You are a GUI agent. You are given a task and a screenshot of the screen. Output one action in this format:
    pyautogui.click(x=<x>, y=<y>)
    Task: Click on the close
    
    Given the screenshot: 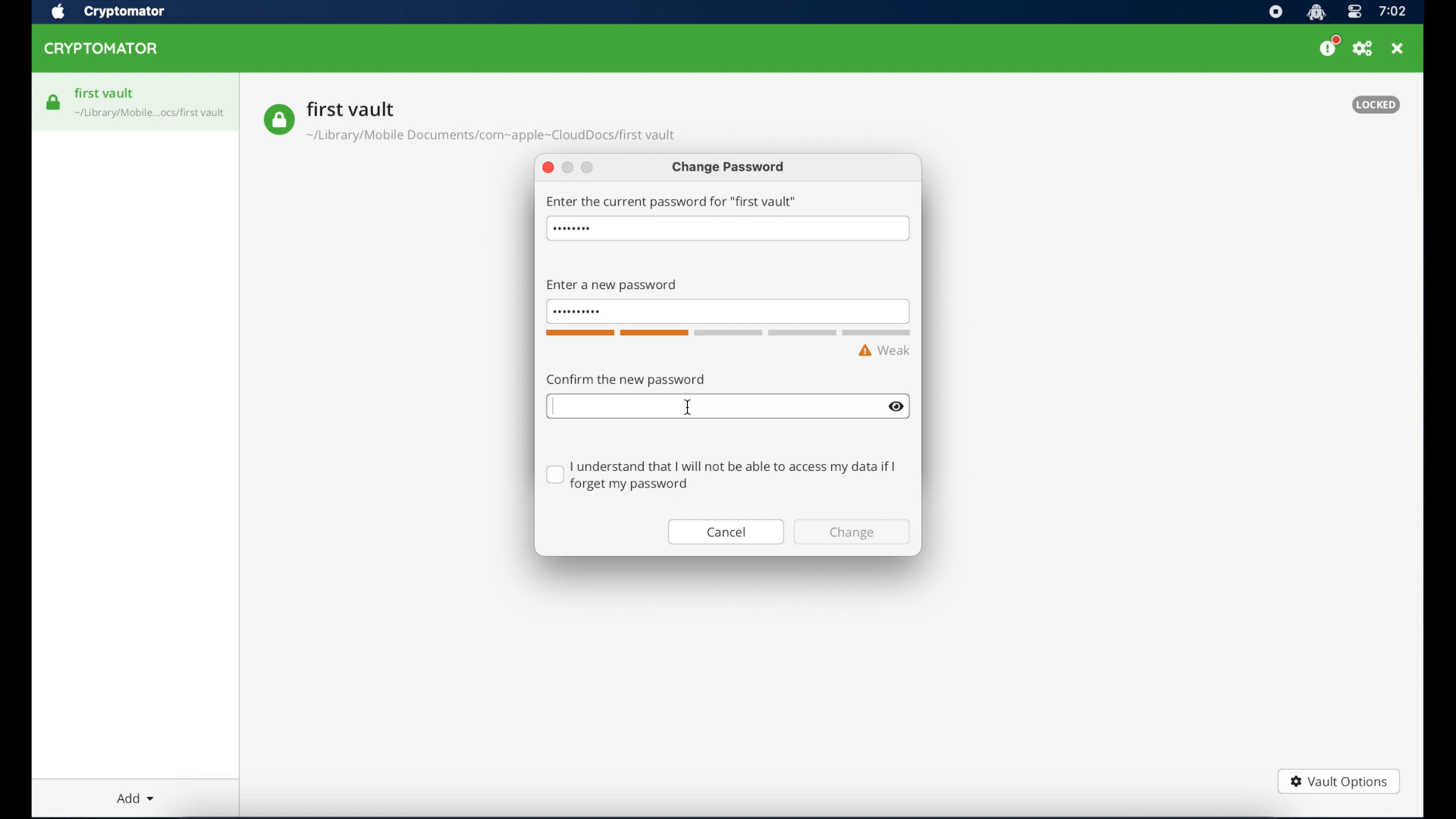 What is the action you would take?
    pyautogui.click(x=1398, y=49)
    